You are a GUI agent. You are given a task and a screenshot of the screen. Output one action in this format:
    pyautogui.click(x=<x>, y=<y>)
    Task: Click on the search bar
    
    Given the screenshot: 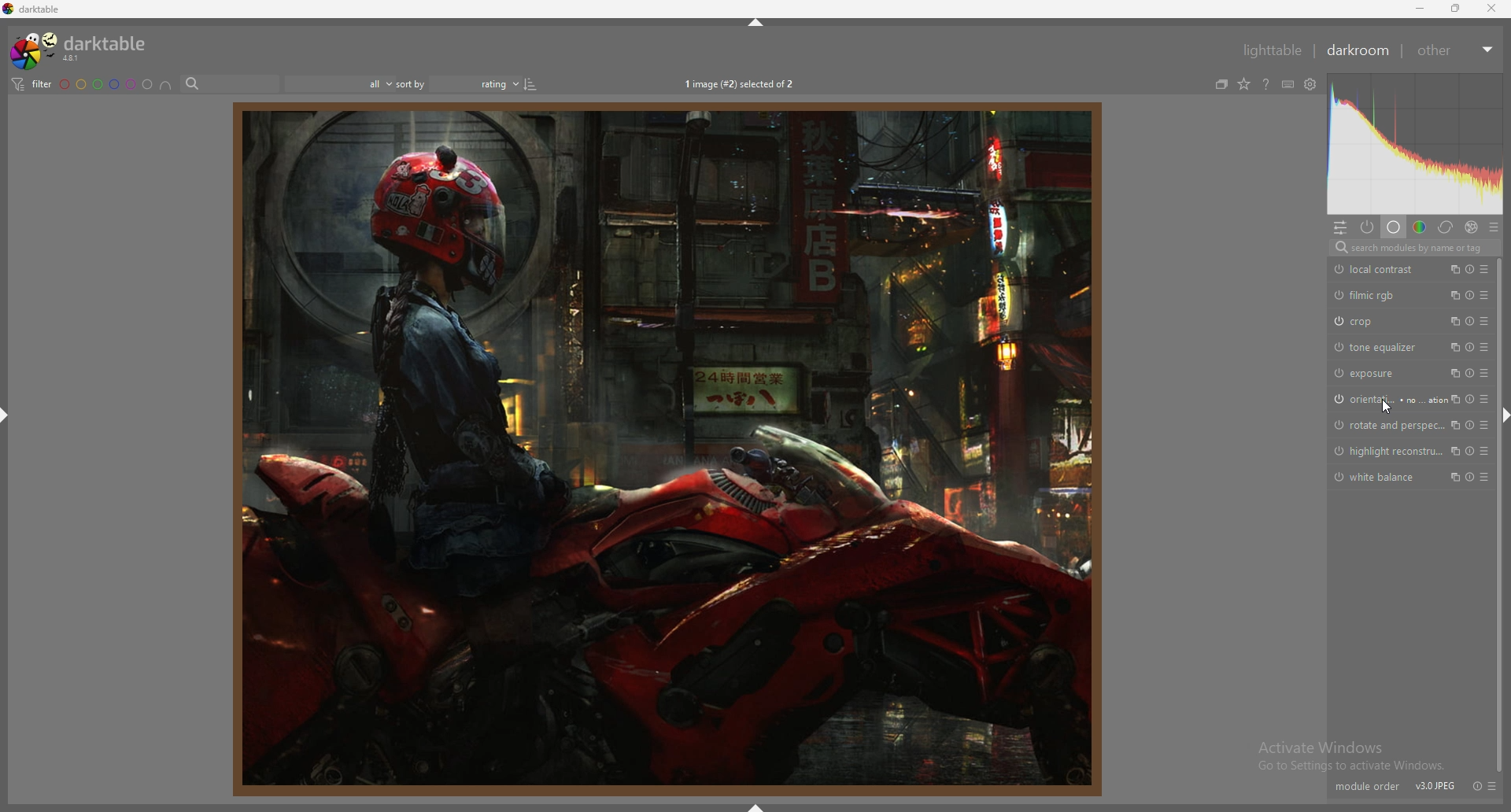 What is the action you would take?
    pyautogui.click(x=233, y=83)
    